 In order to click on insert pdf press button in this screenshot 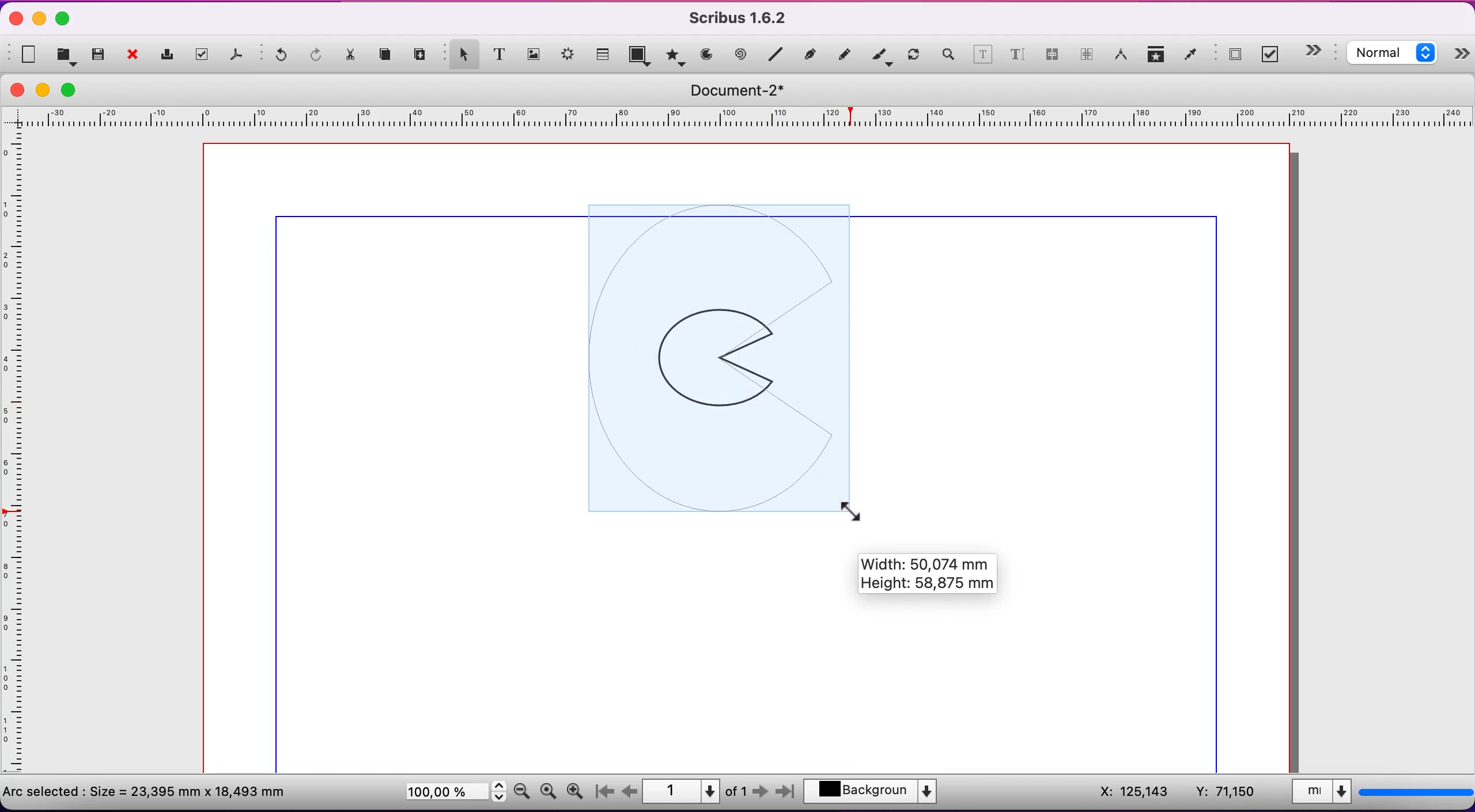, I will do `click(1231, 55)`.